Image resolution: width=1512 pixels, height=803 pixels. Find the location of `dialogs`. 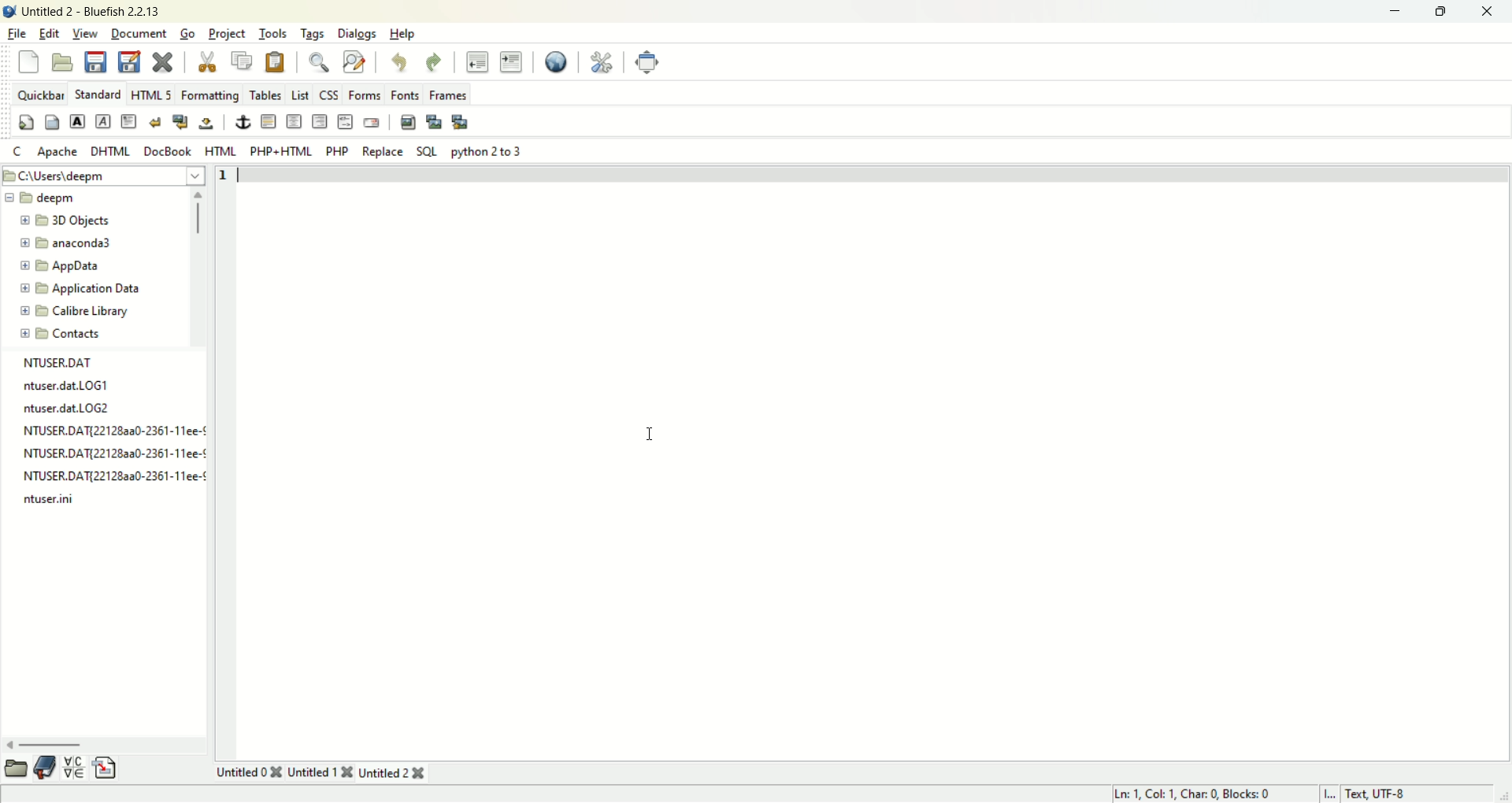

dialogs is located at coordinates (357, 34).